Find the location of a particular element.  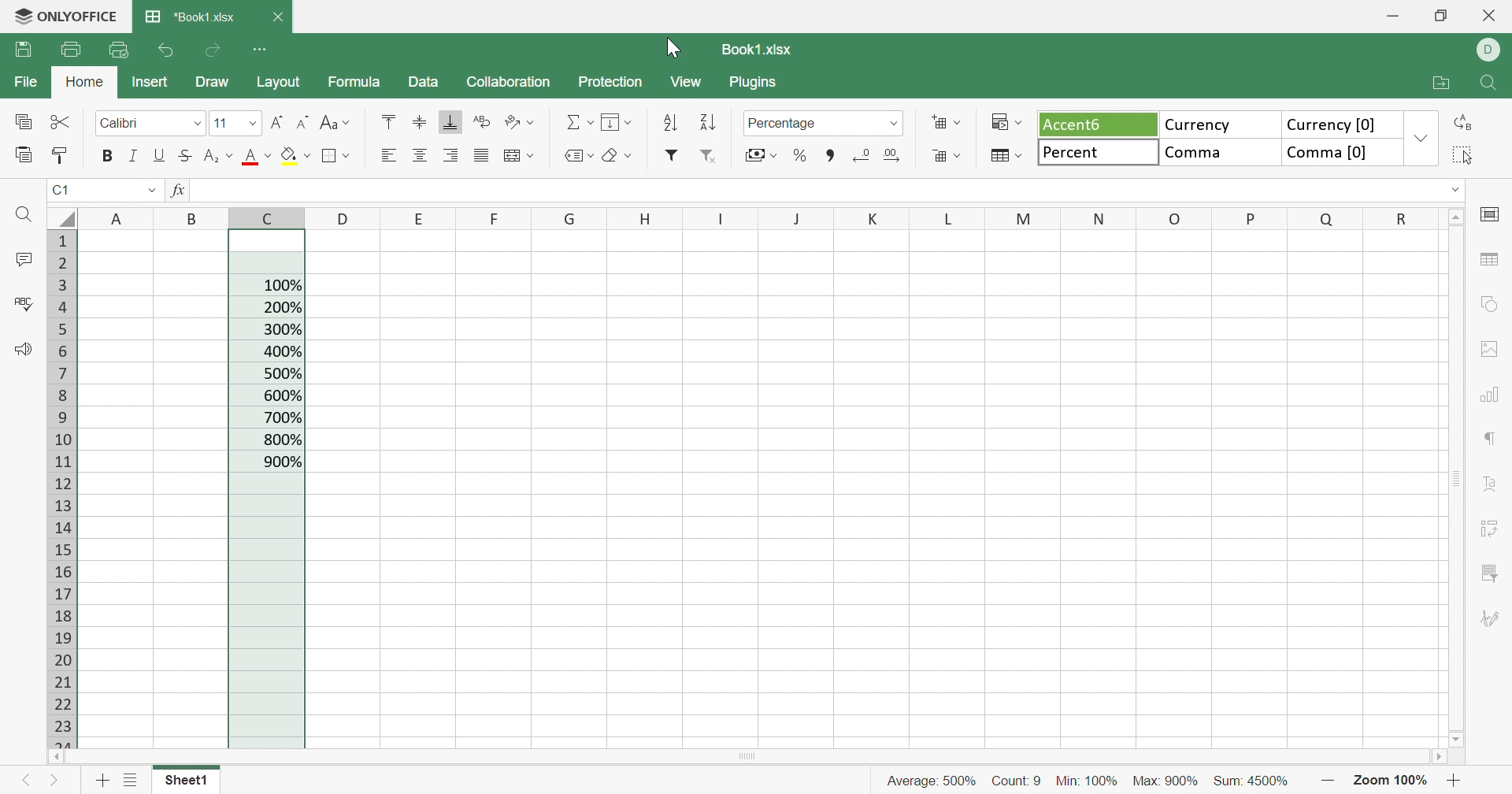

Layout is located at coordinates (280, 83).